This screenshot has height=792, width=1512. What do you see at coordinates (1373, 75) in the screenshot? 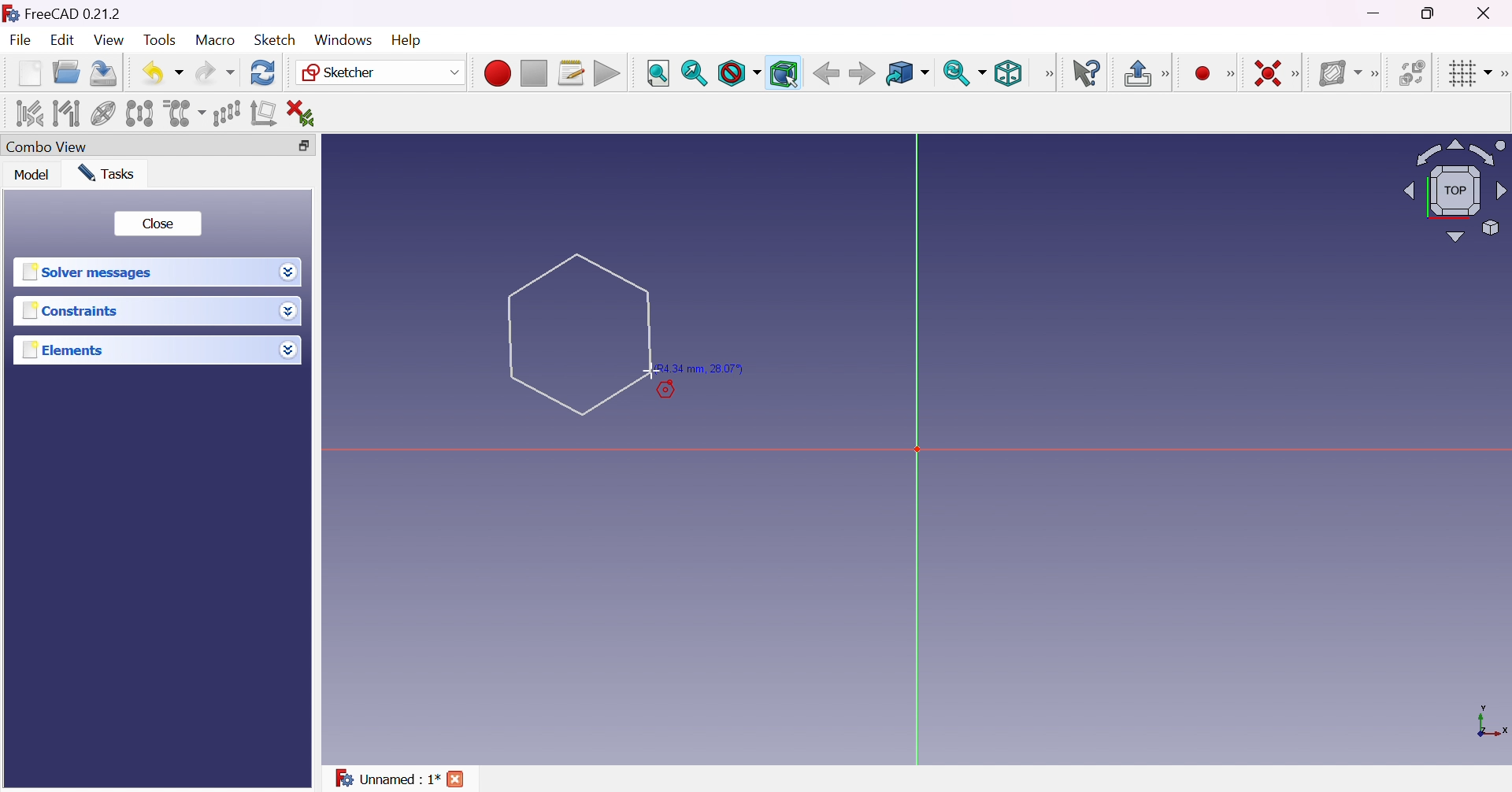
I see `[Sketcher B-spline tools]` at bounding box center [1373, 75].